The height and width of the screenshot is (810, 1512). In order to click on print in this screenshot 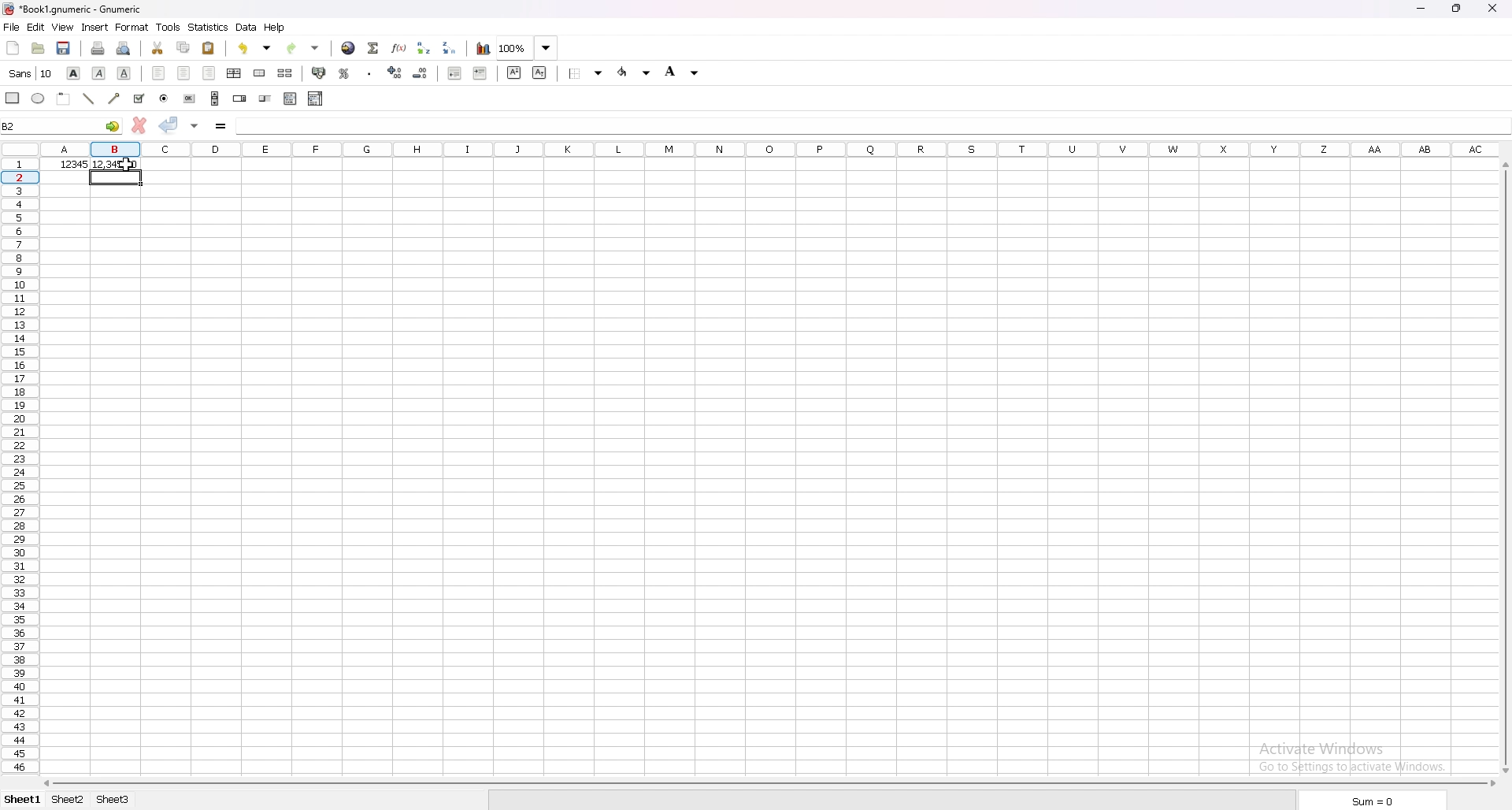, I will do `click(98, 47)`.